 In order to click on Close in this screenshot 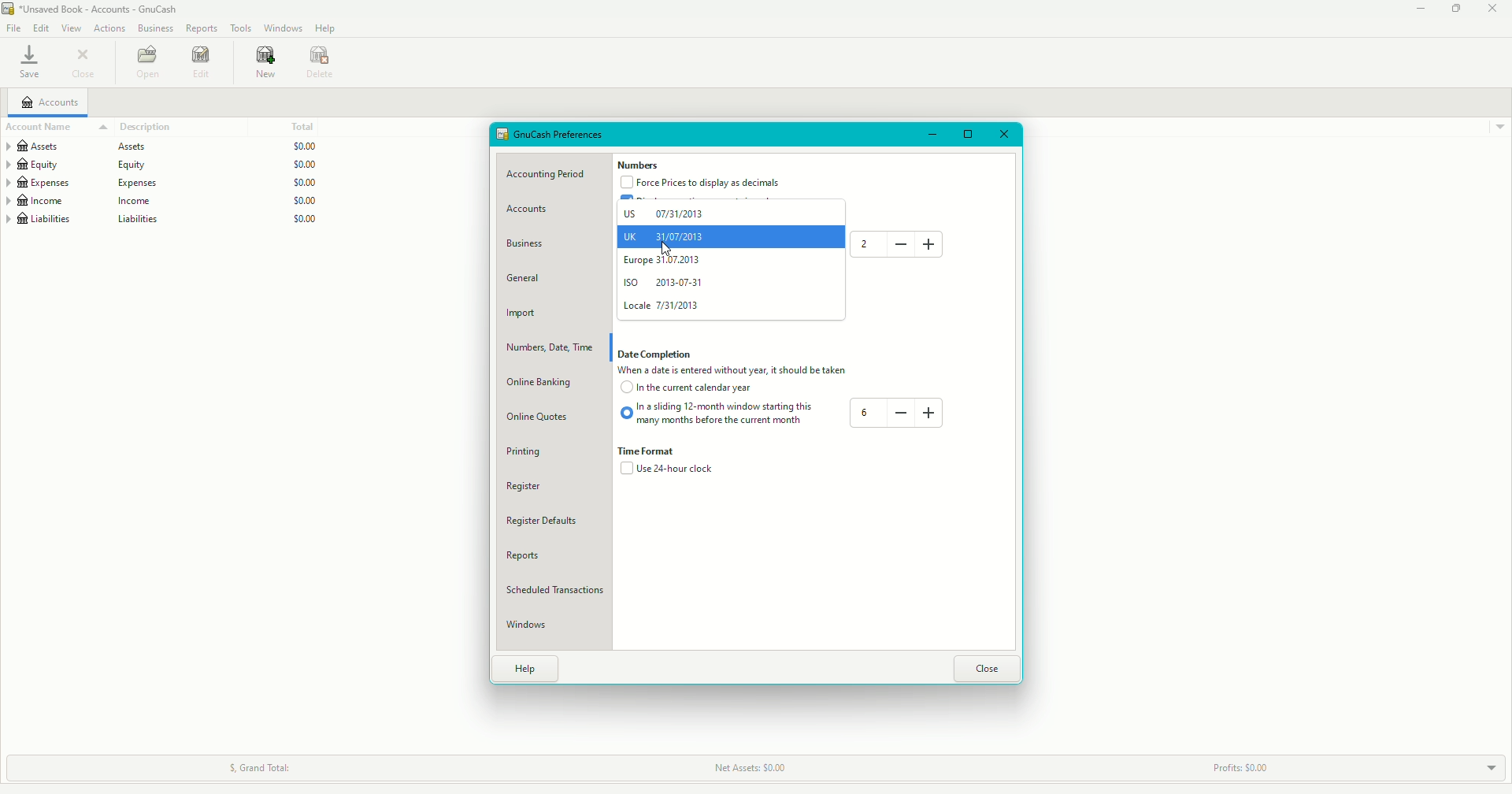, I will do `click(1492, 8)`.